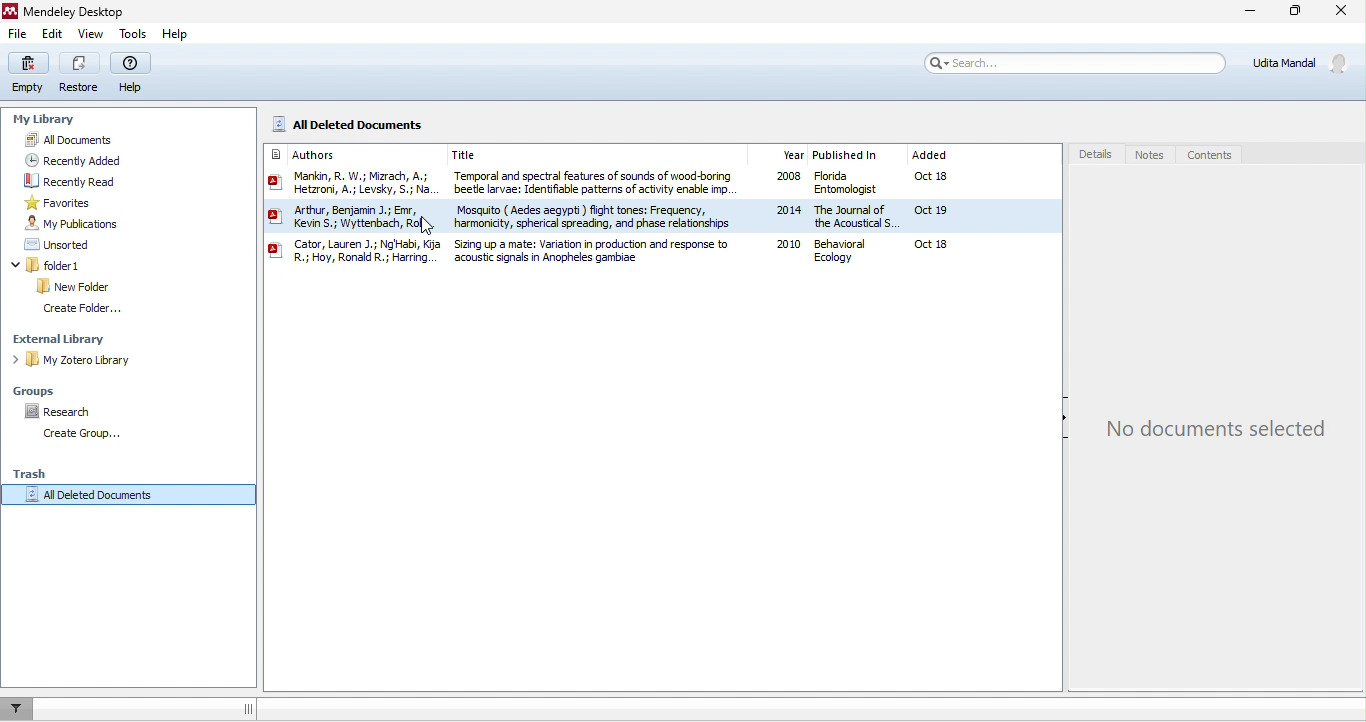 This screenshot has width=1366, height=722. Describe the element at coordinates (942, 152) in the screenshot. I see `added` at that location.